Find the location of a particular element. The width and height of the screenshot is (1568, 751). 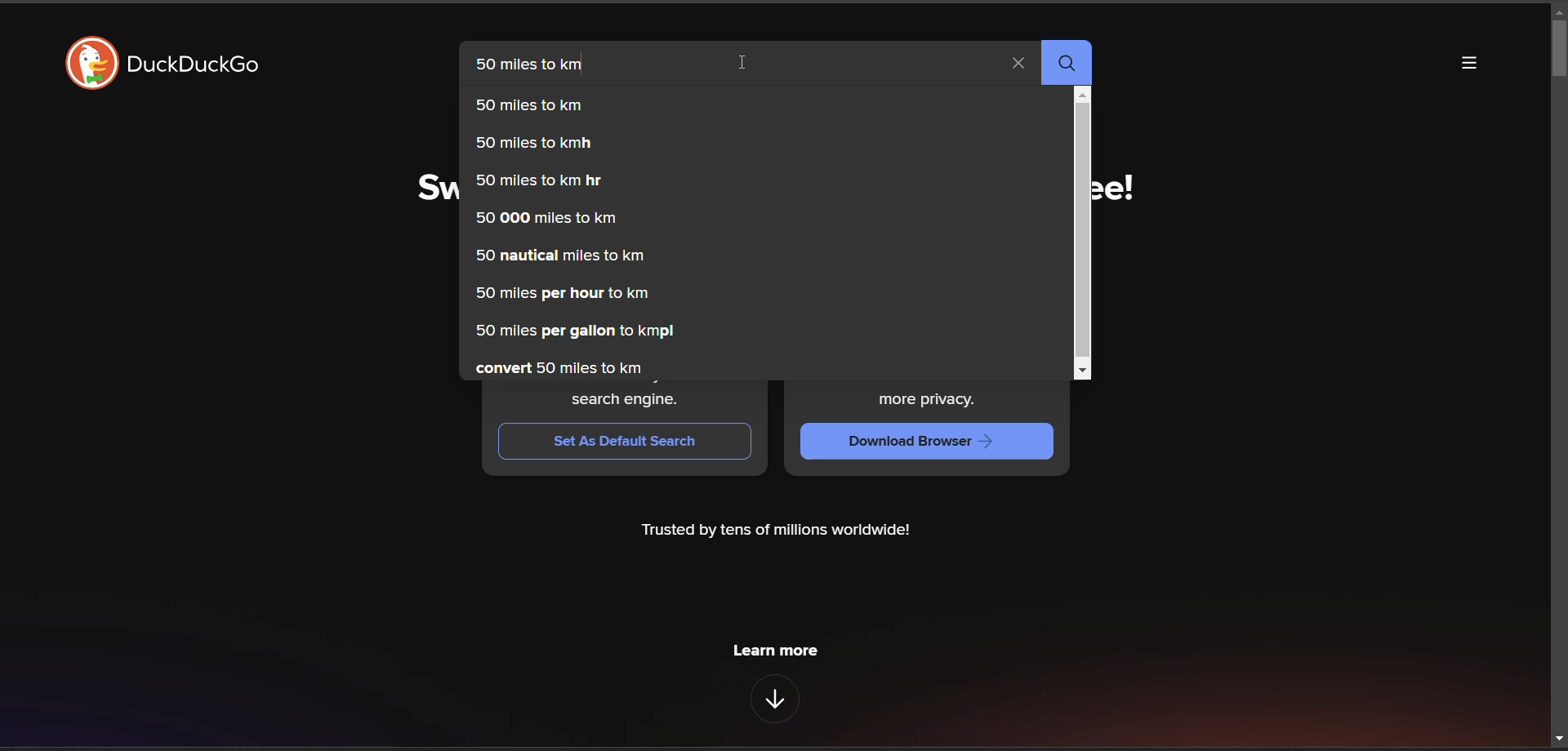

Set As Default Search is located at coordinates (624, 441).